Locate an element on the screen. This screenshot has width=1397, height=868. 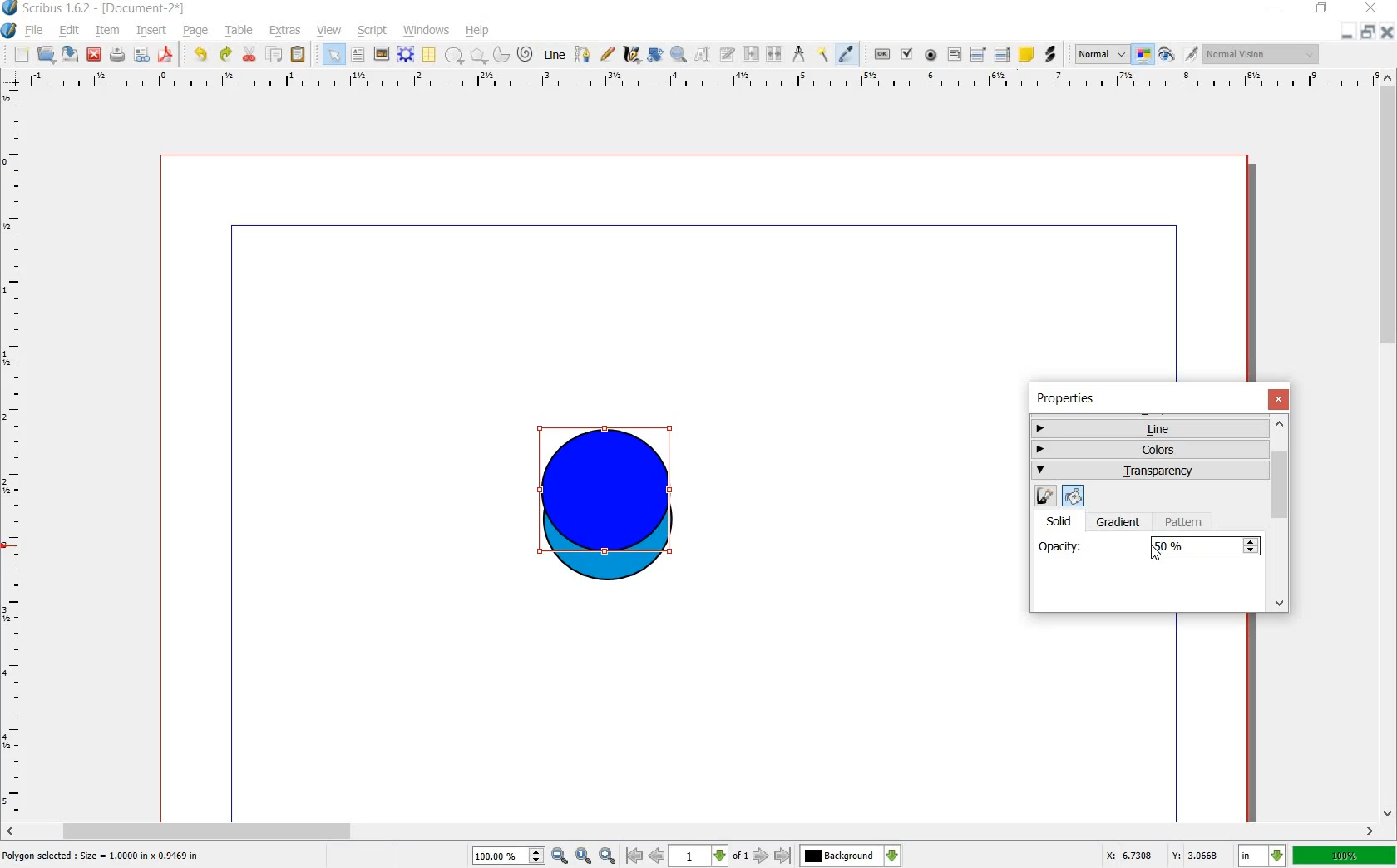
cut is located at coordinates (251, 55).